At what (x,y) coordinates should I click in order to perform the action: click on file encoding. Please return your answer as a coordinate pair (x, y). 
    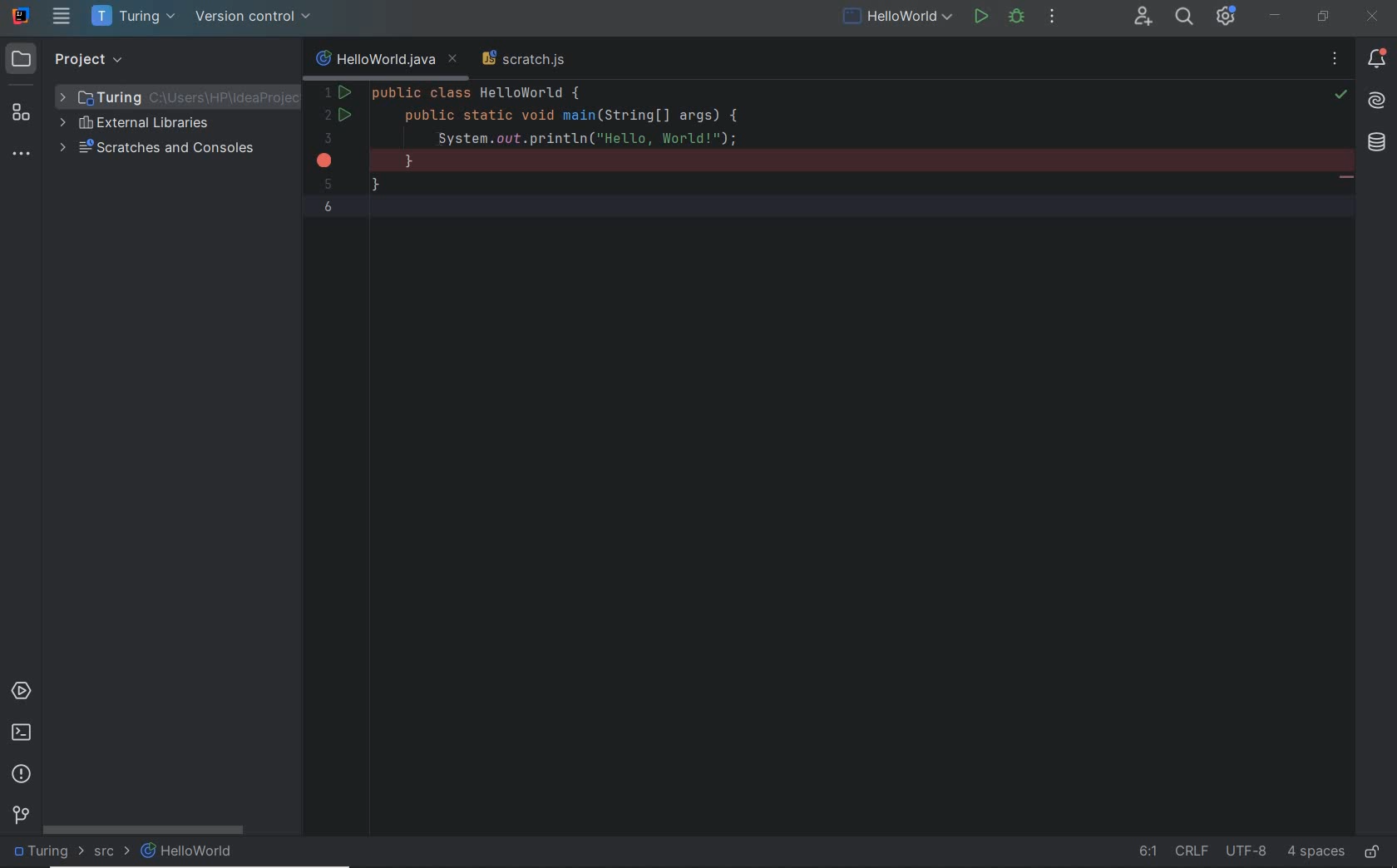
    Looking at the image, I should click on (1249, 851).